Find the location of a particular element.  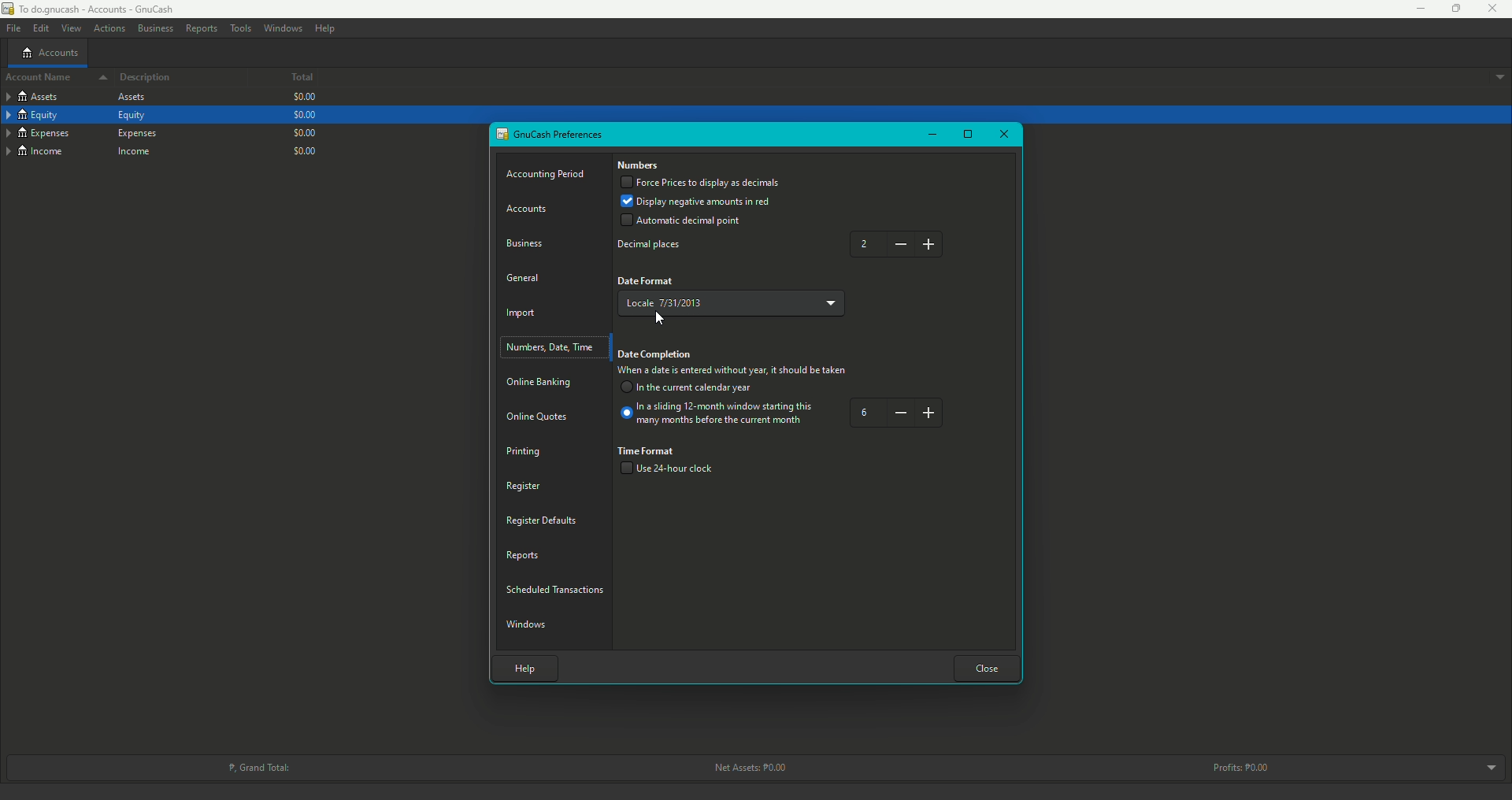

Minimize is located at coordinates (1415, 9).